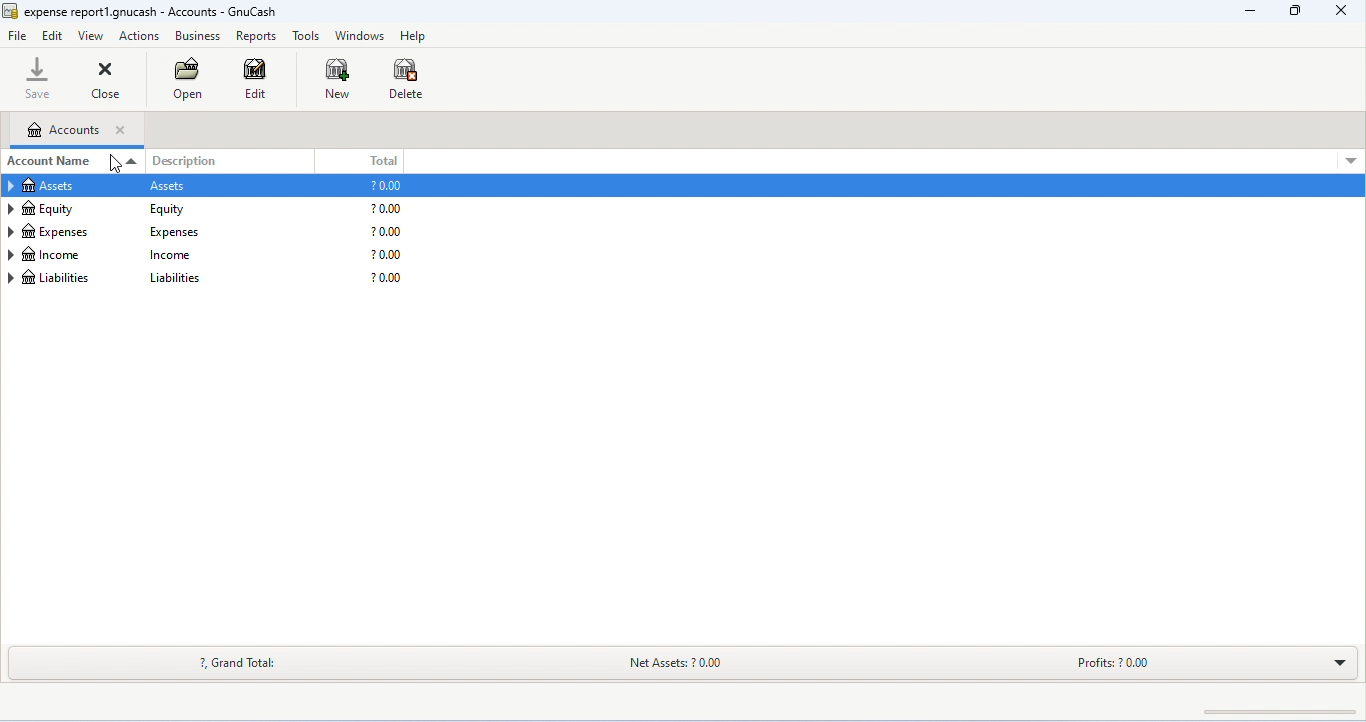  What do you see at coordinates (359, 35) in the screenshot?
I see `windows` at bounding box center [359, 35].